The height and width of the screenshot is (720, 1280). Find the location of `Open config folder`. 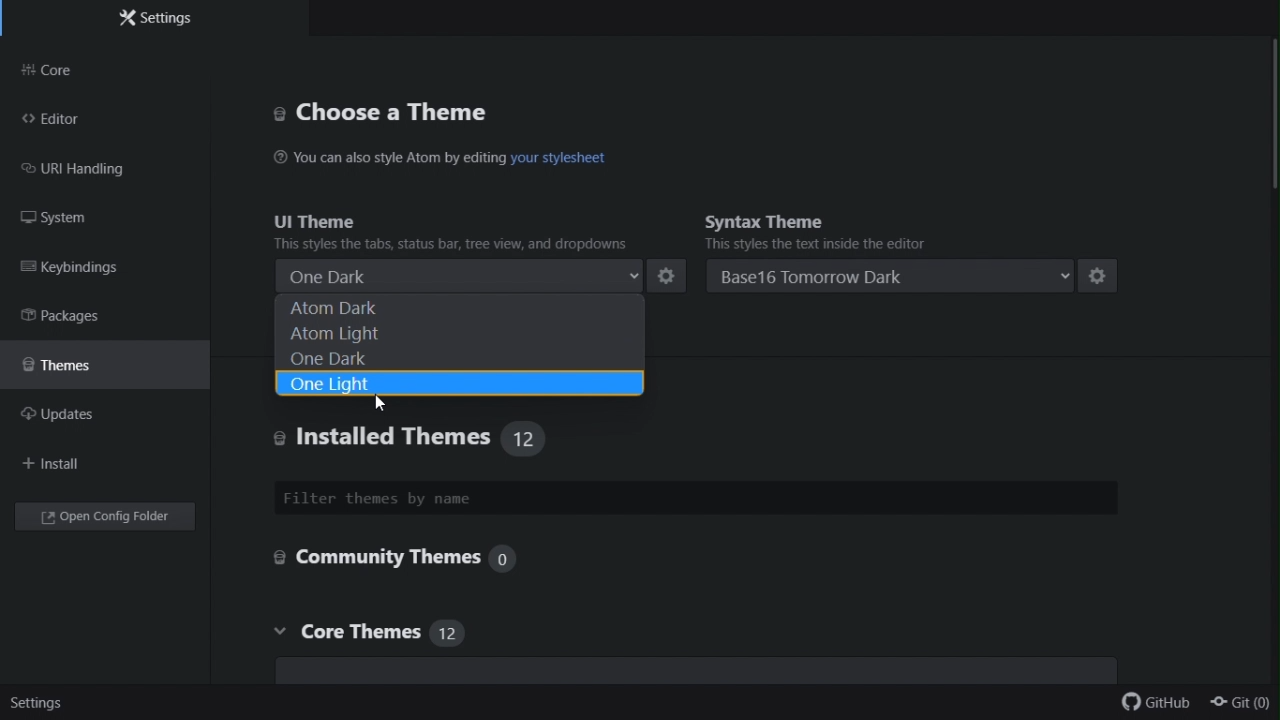

Open config folder is located at coordinates (109, 519).